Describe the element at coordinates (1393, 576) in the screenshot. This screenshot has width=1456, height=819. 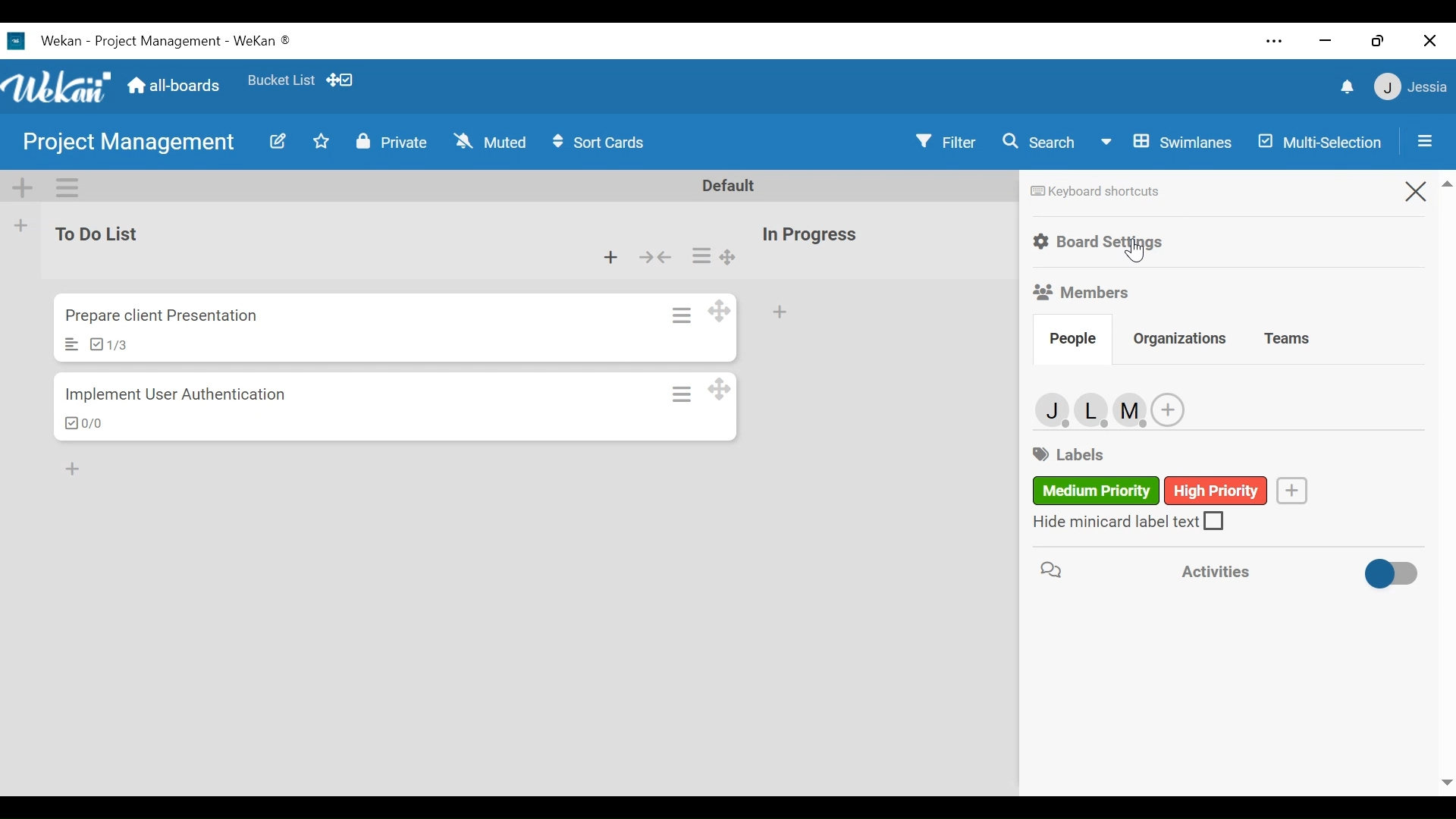
I see `Toggle show/hide` at that location.